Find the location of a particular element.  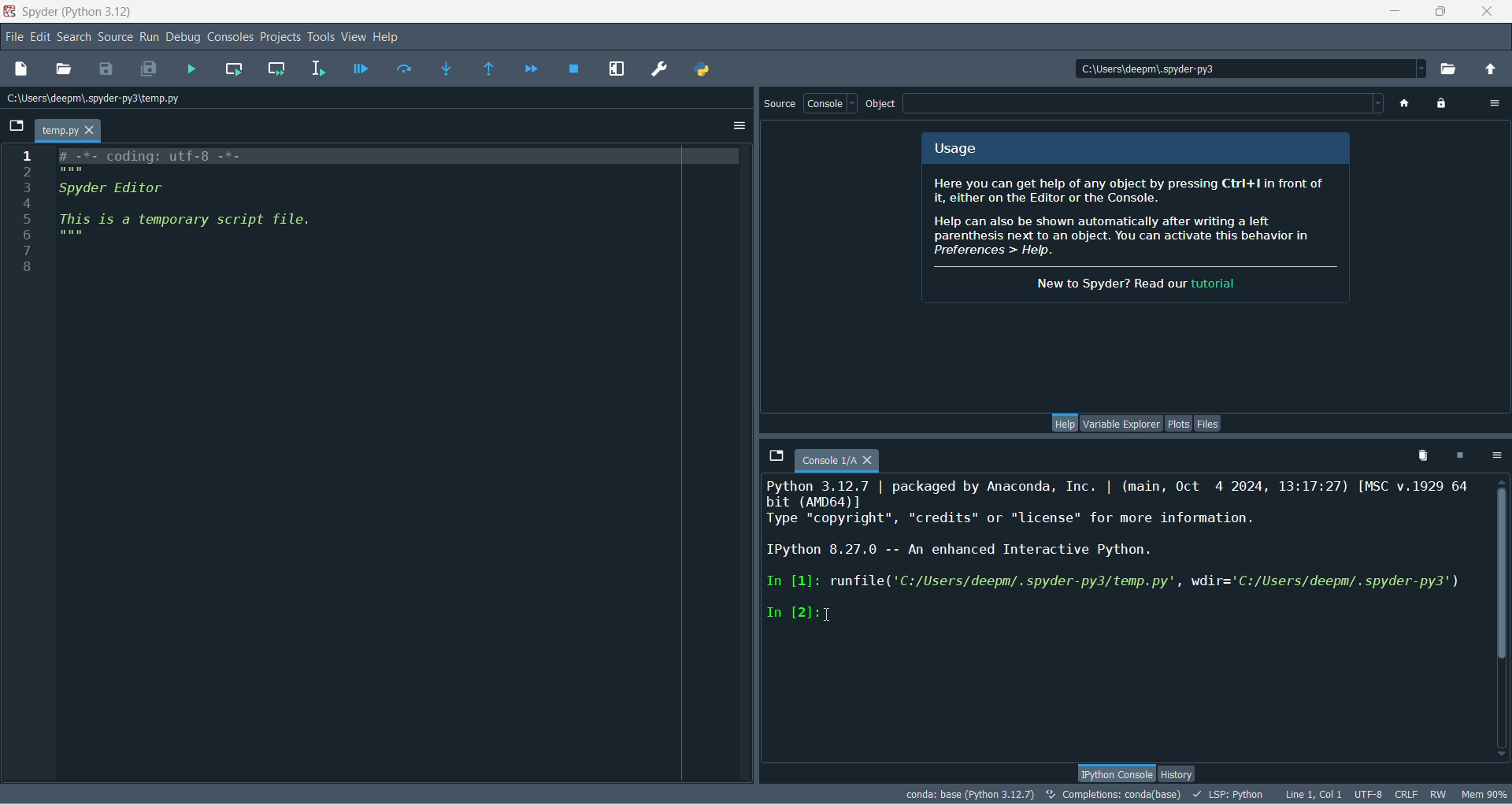

usage is located at coordinates (956, 151).